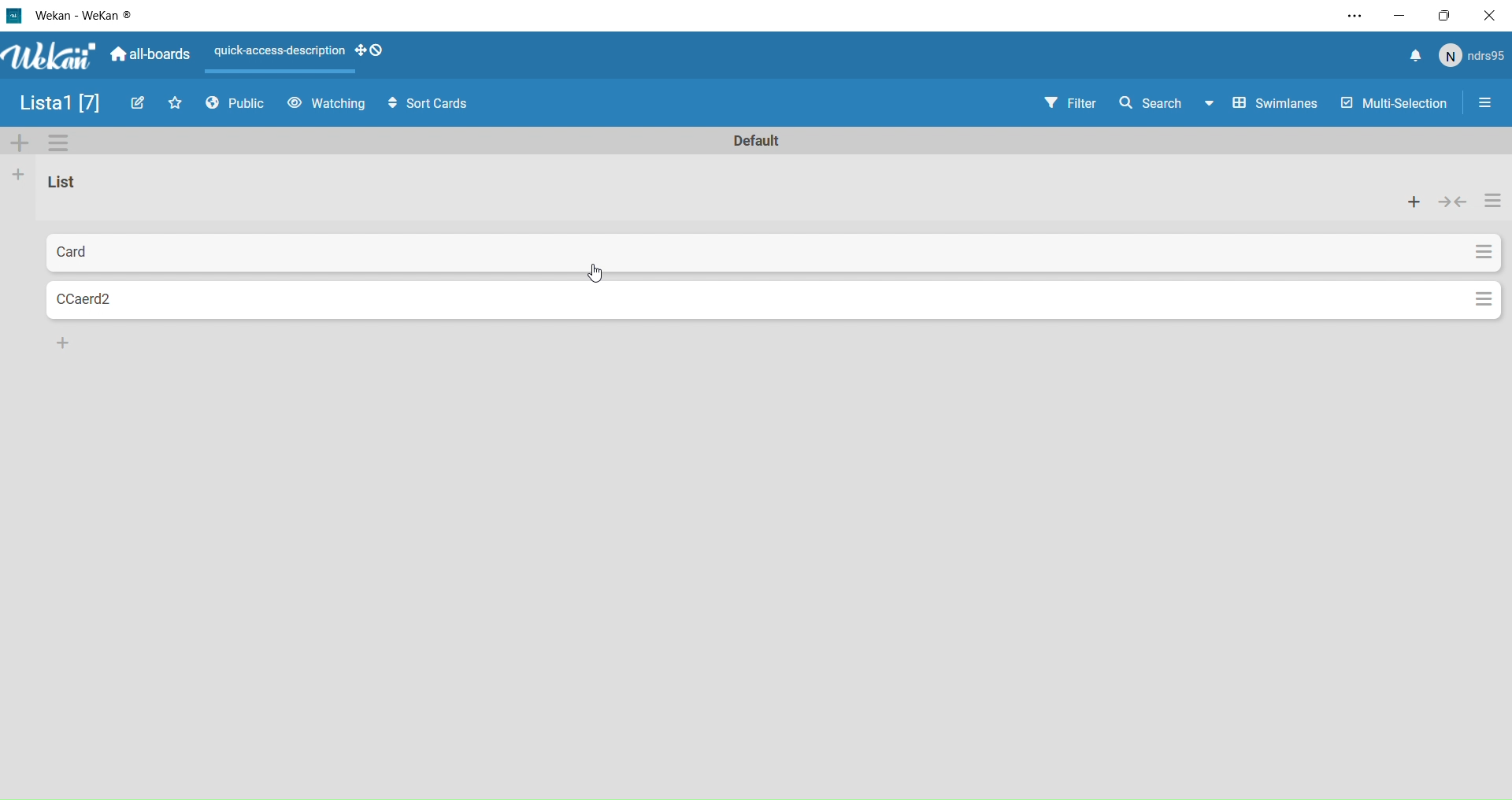  I want to click on Text, so click(105, 186).